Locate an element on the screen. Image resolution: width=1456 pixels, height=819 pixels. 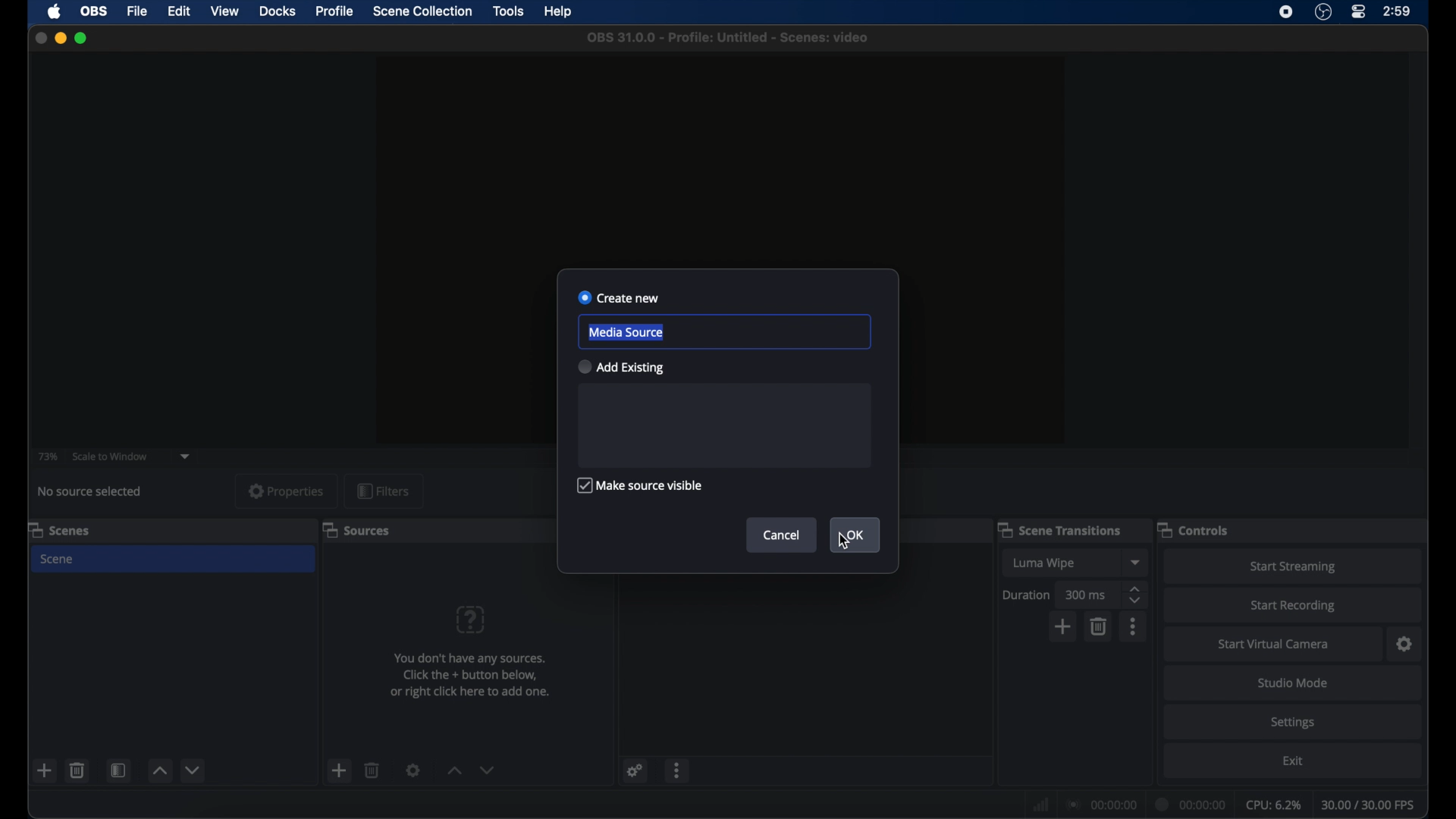
start virtual camera is located at coordinates (1274, 645).